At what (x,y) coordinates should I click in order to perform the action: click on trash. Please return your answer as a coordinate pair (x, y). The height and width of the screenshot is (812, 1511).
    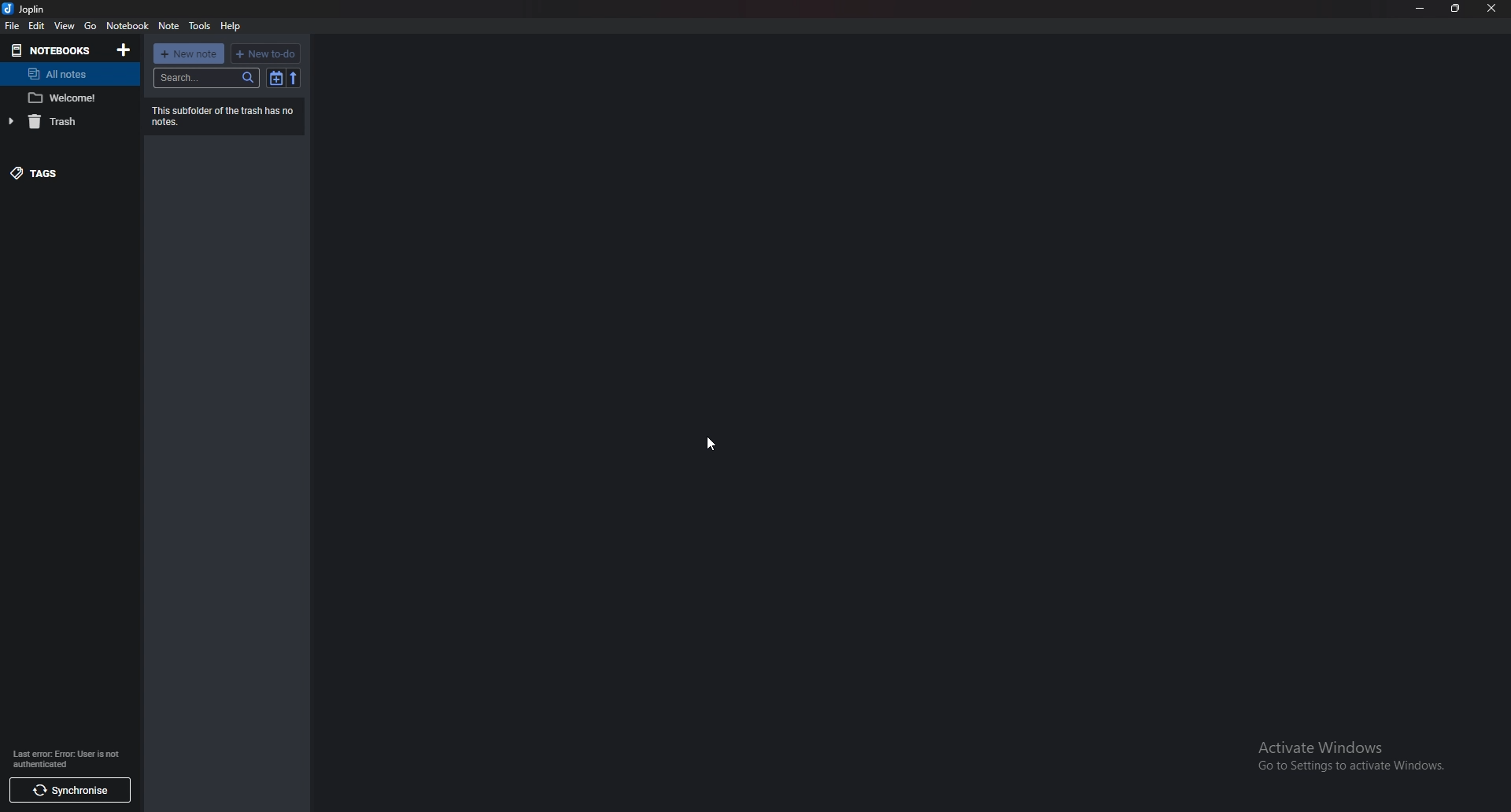
    Looking at the image, I should click on (69, 122).